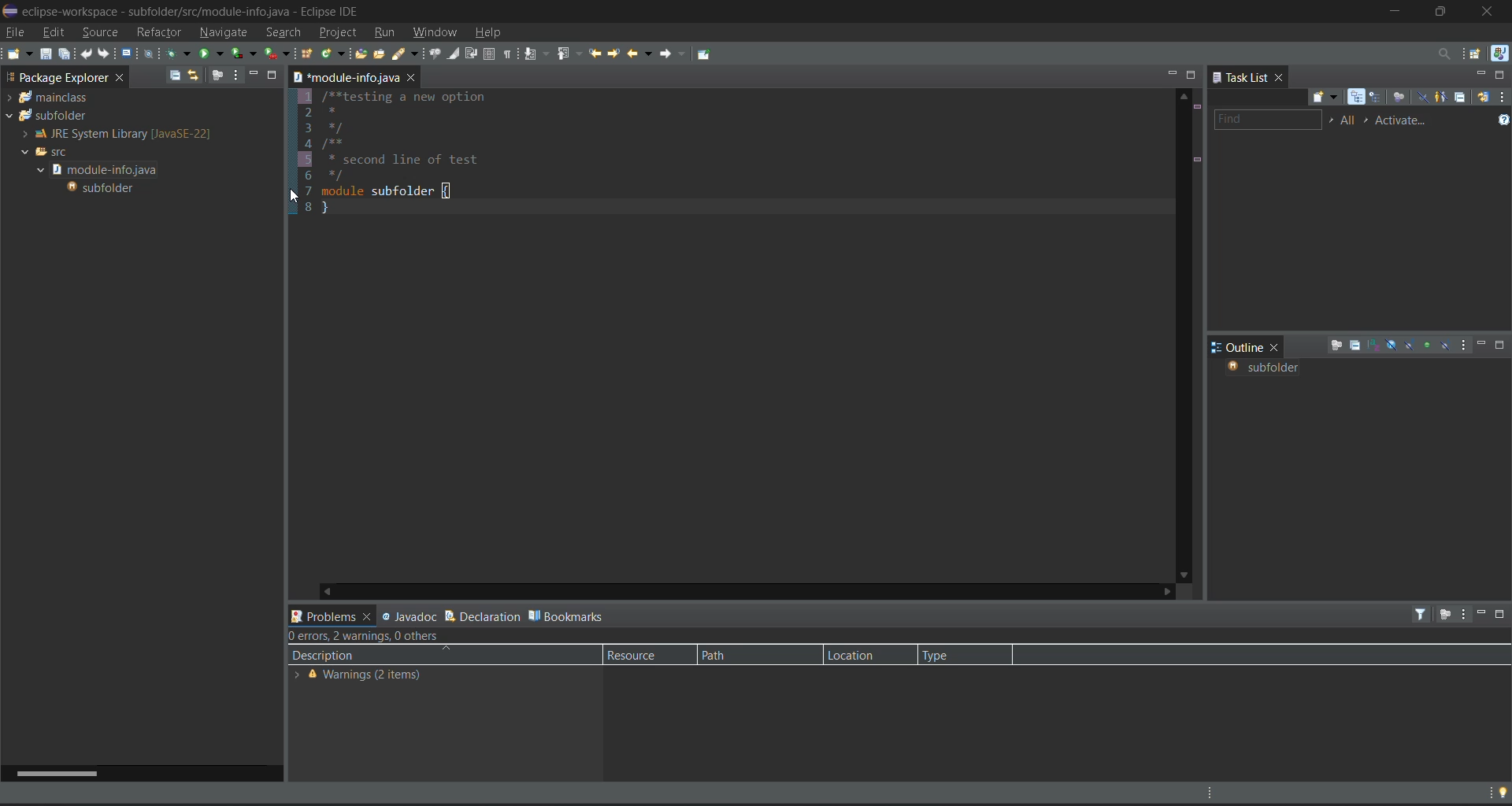  I want to click on redo, so click(105, 54).